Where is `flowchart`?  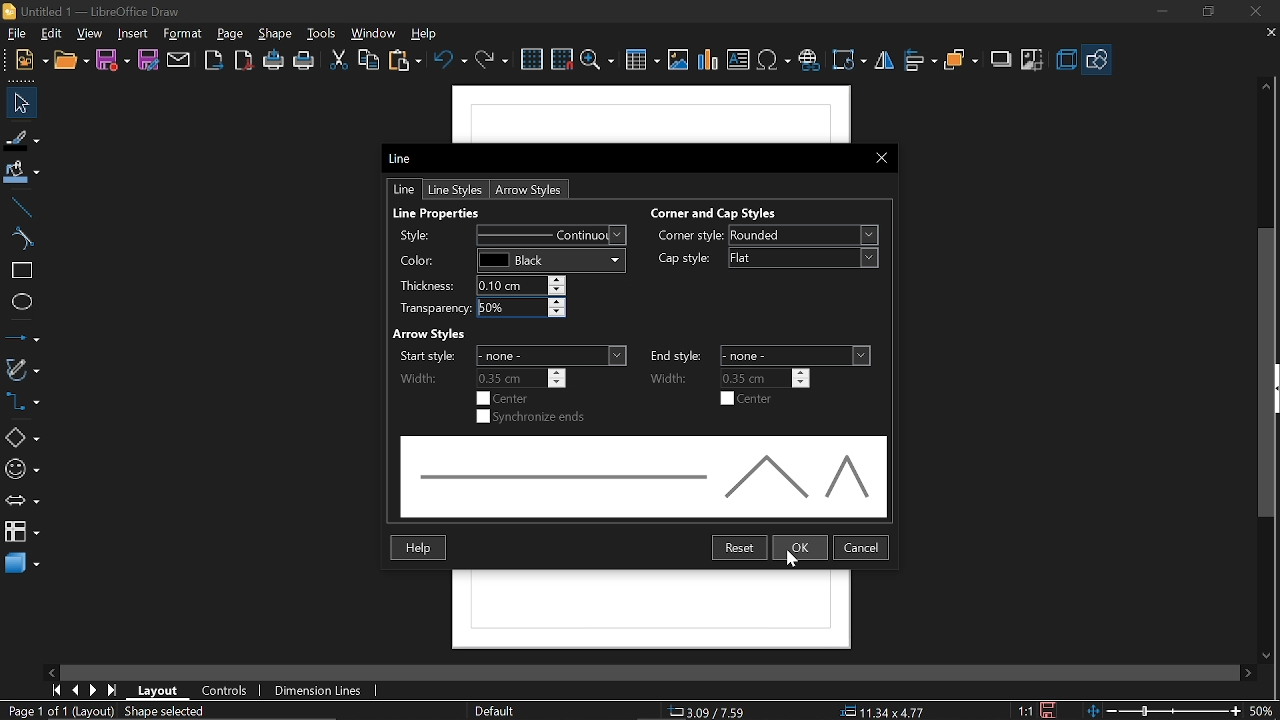 flowchart is located at coordinates (19, 530).